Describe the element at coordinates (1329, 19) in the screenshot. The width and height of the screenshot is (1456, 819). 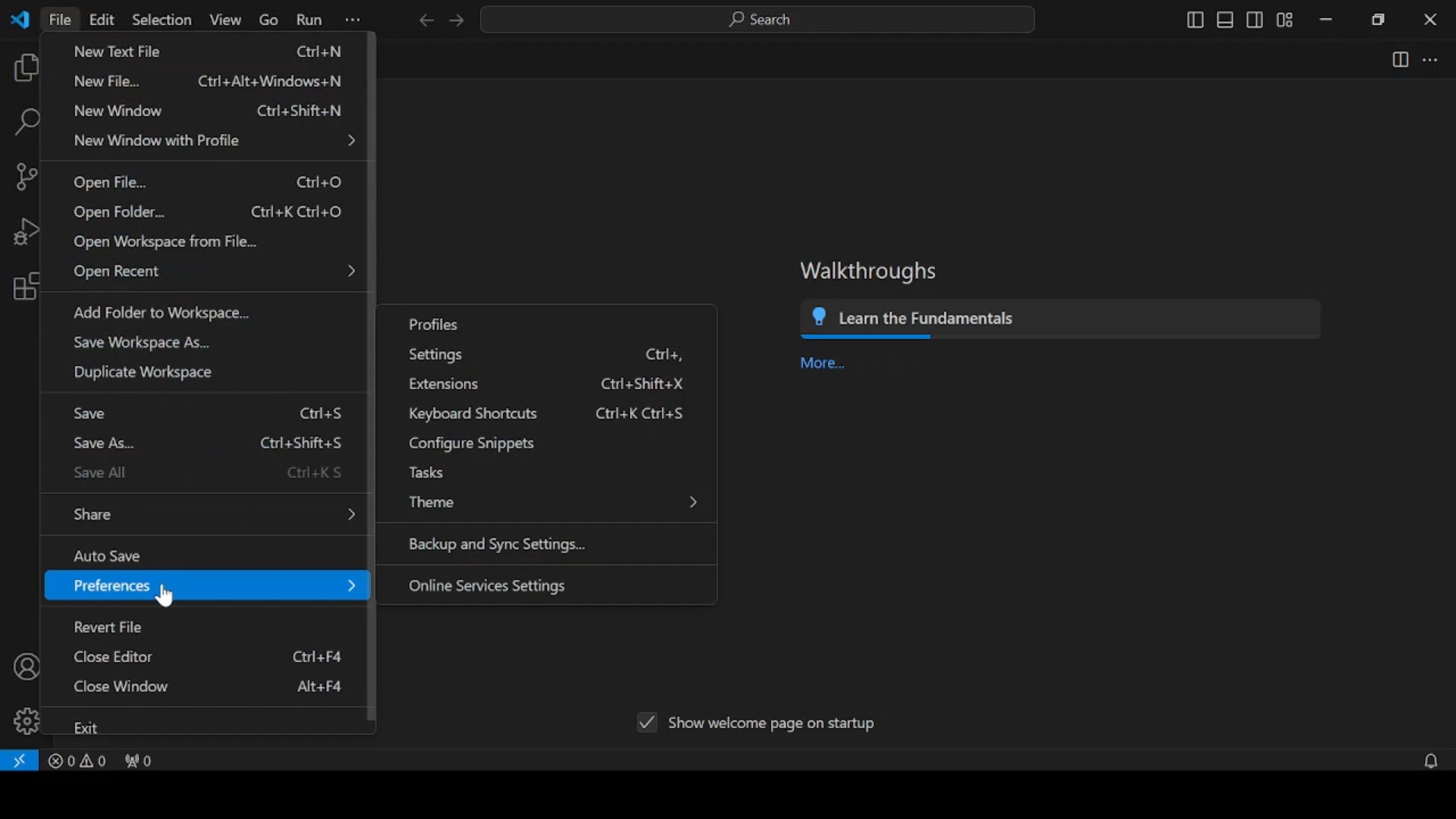
I see `minimize` at that location.